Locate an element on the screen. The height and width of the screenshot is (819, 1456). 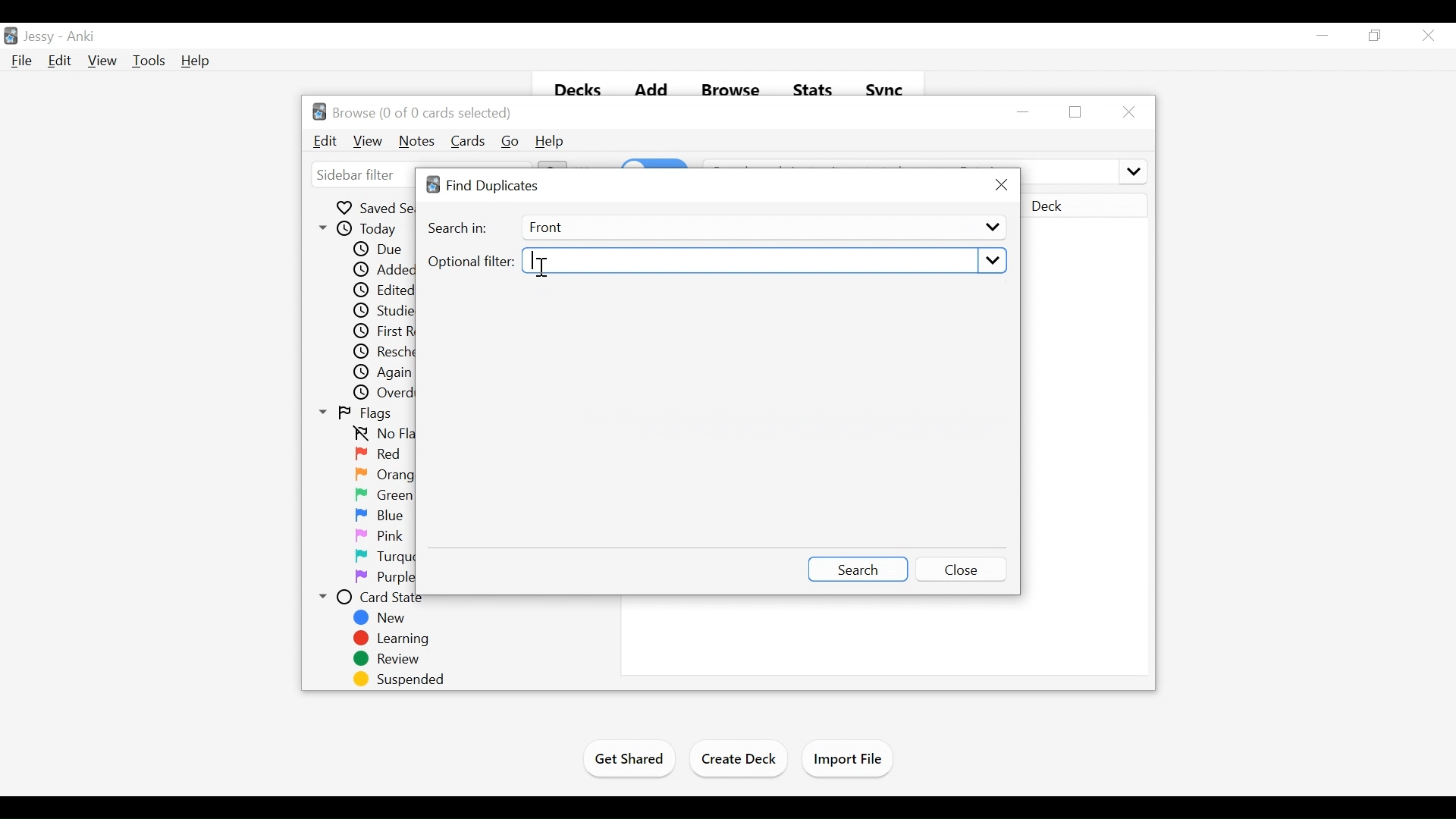
Rescheduled is located at coordinates (384, 352).